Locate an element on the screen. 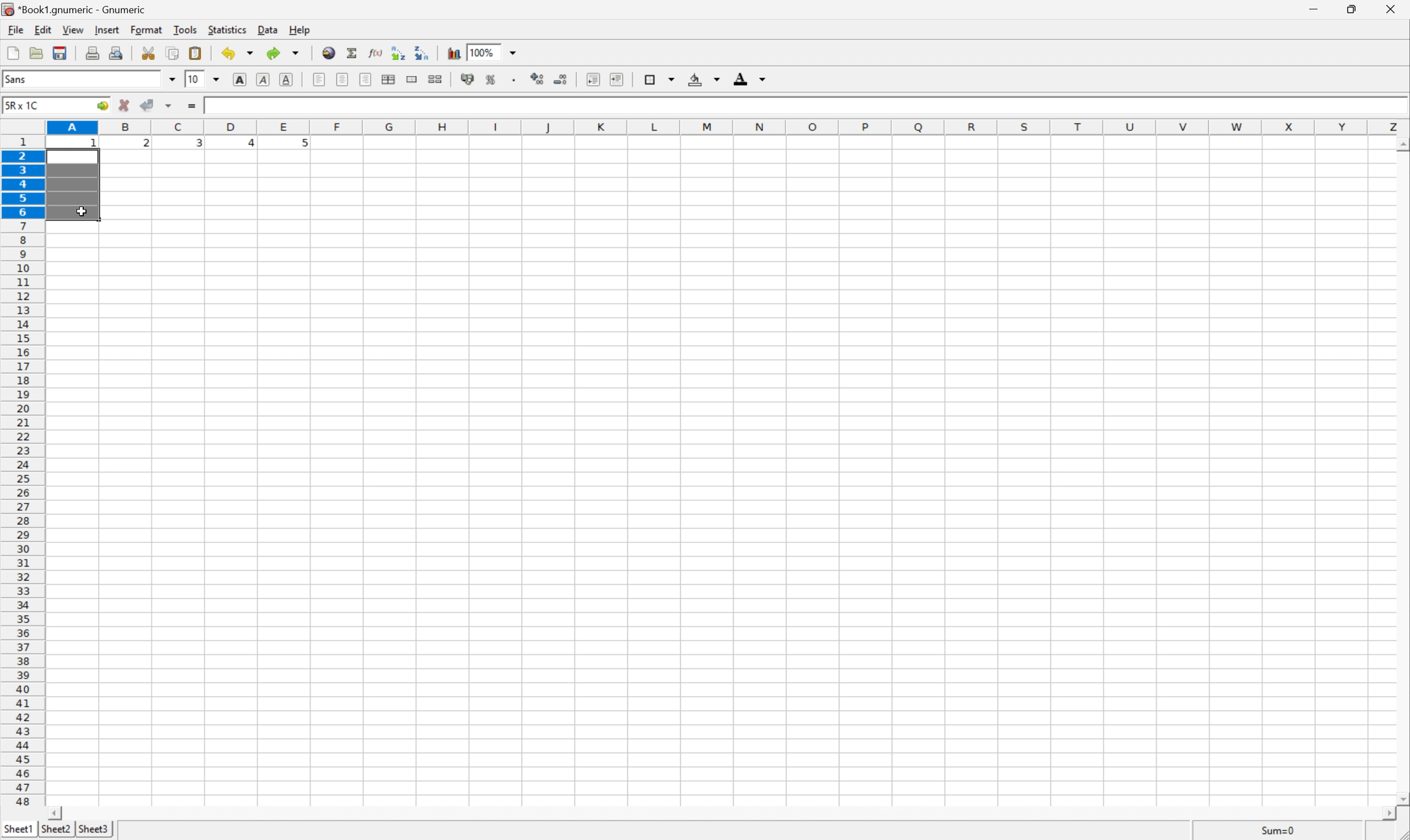 This screenshot has height=840, width=1410. format selection as accounting is located at coordinates (466, 79).